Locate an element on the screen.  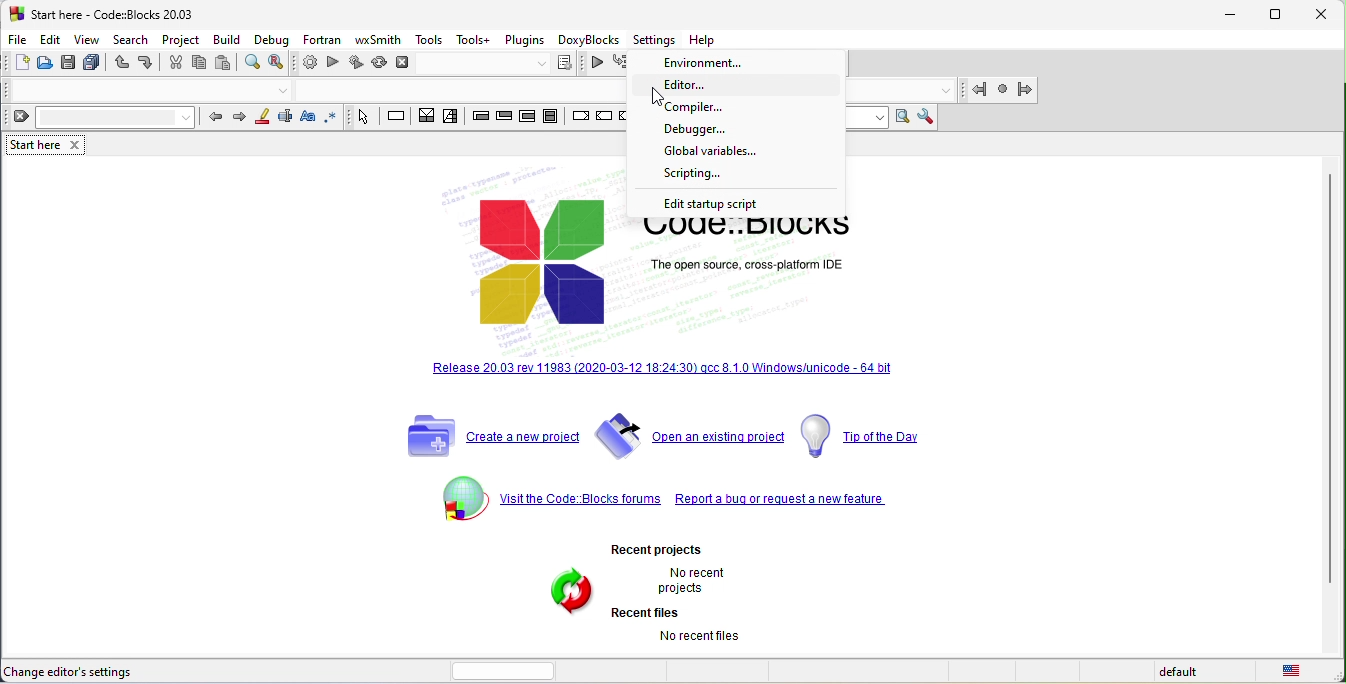
run is located at coordinates (337, 65).